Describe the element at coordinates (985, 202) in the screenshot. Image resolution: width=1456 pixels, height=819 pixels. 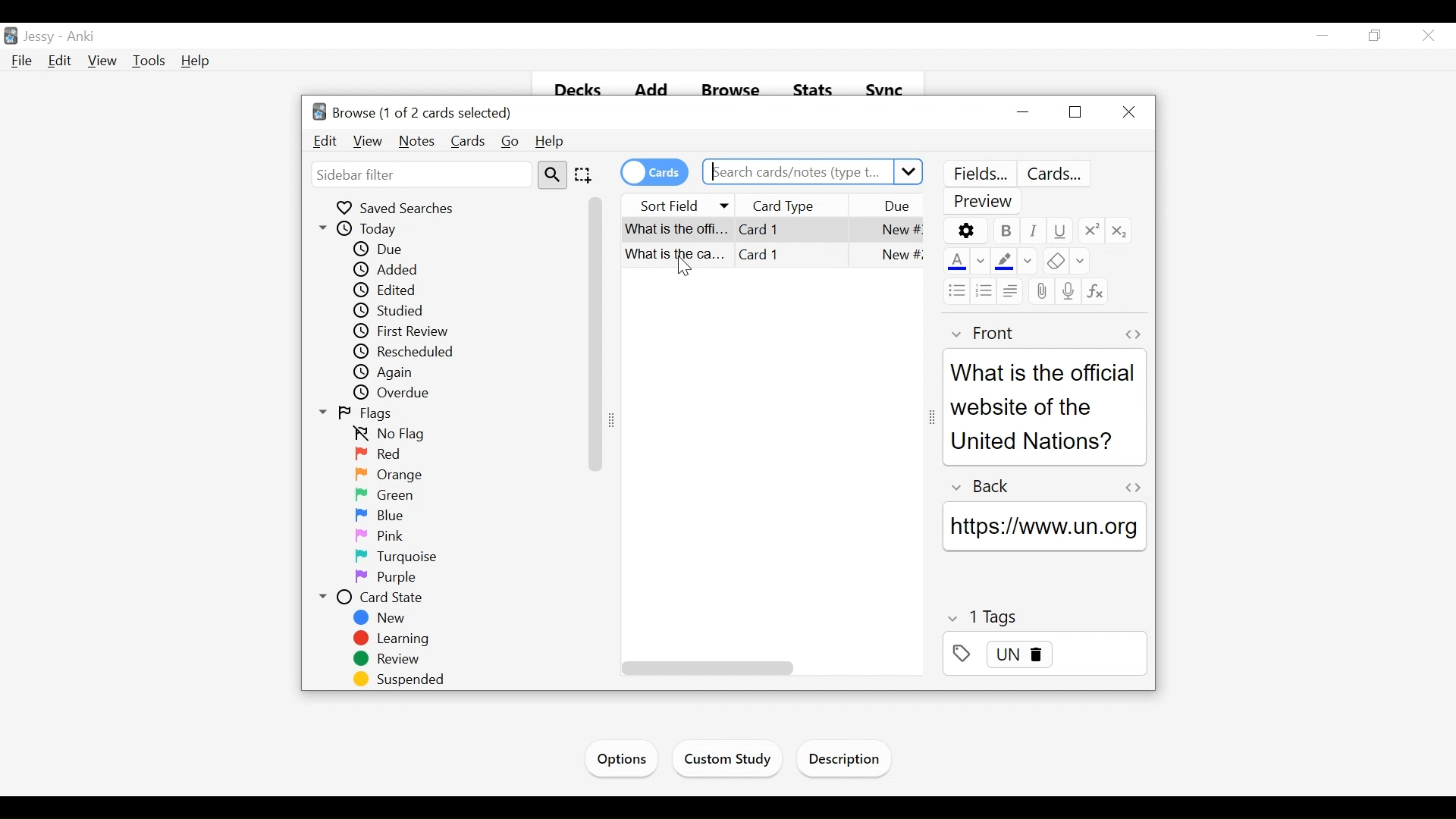
I see `Preview ` at that location.